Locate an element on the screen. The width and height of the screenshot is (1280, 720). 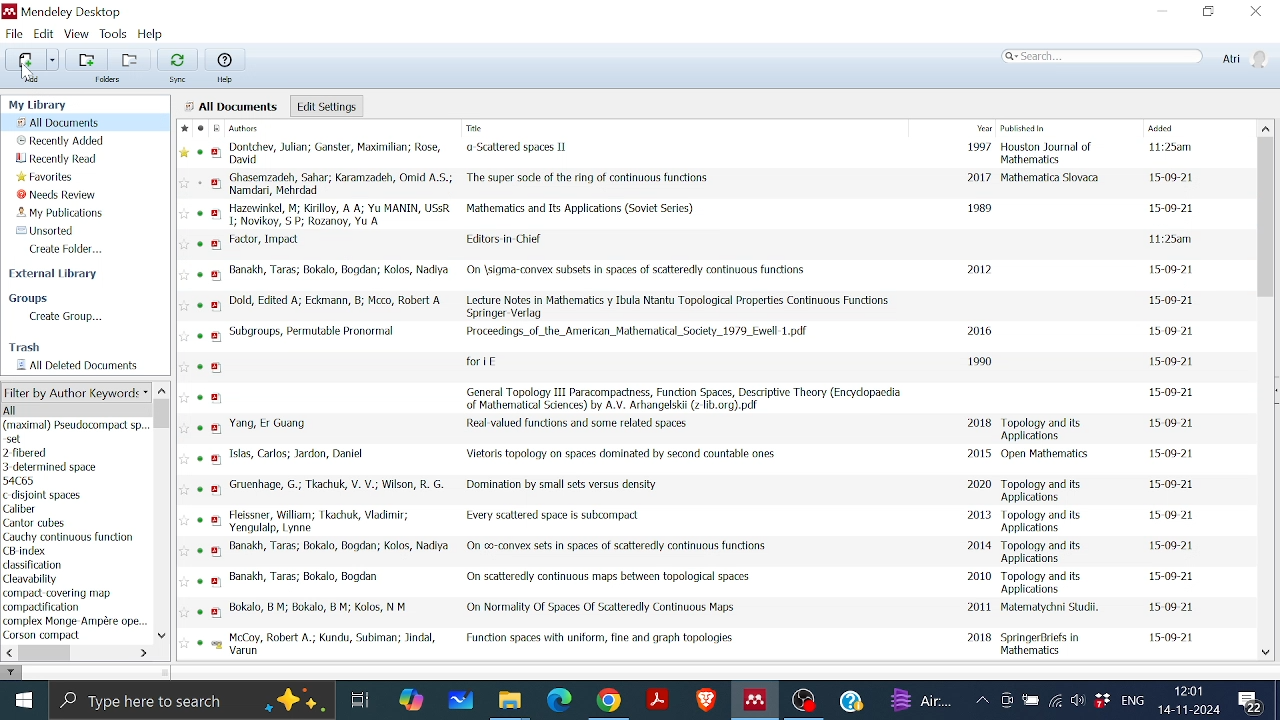
all documents is located at coordinates (230, 107).